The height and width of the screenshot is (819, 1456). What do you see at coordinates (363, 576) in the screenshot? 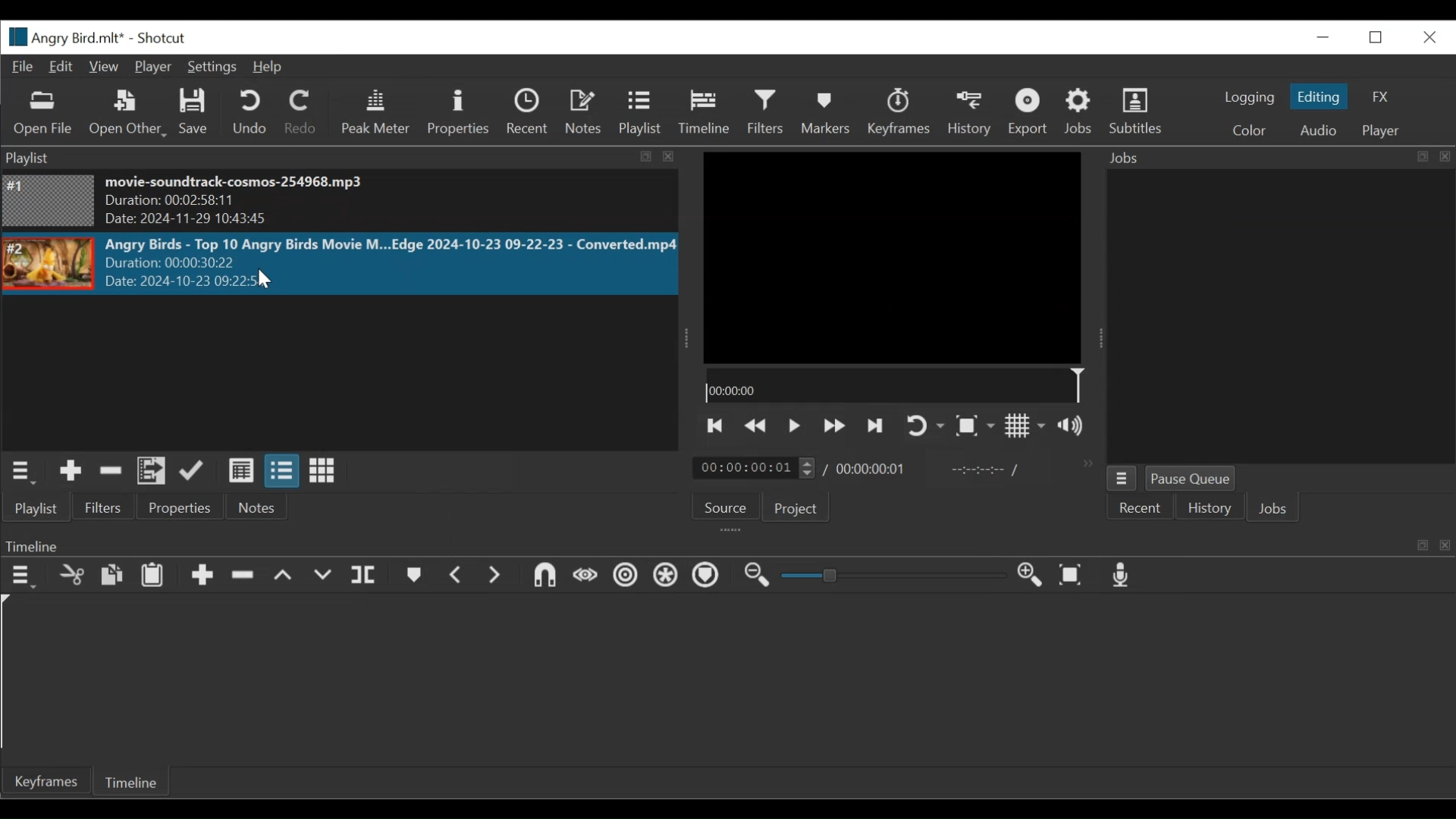
I see `Split Playhead` at bounding box center [363, 576].